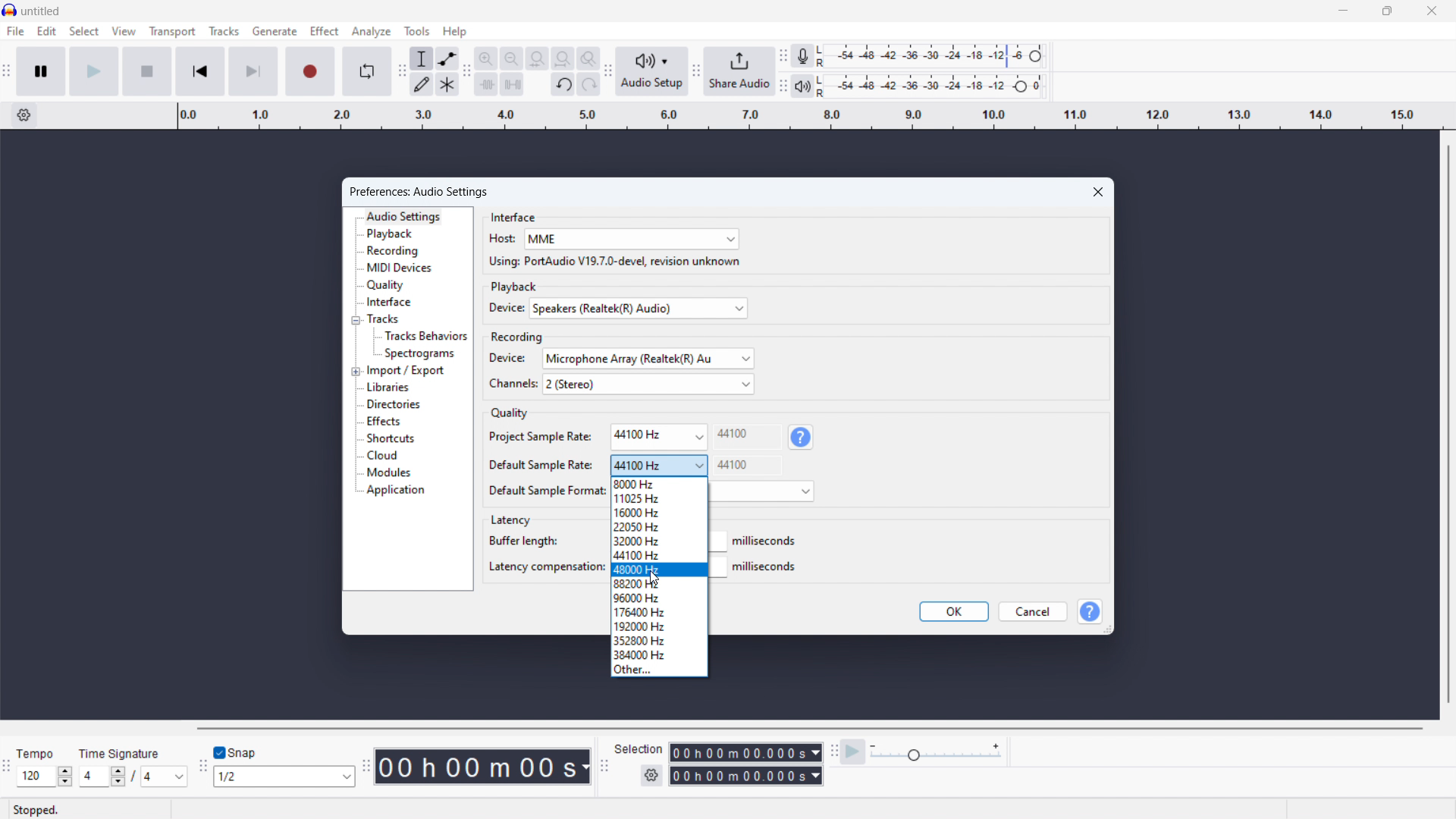  I want to click on device, so click(509, 358).